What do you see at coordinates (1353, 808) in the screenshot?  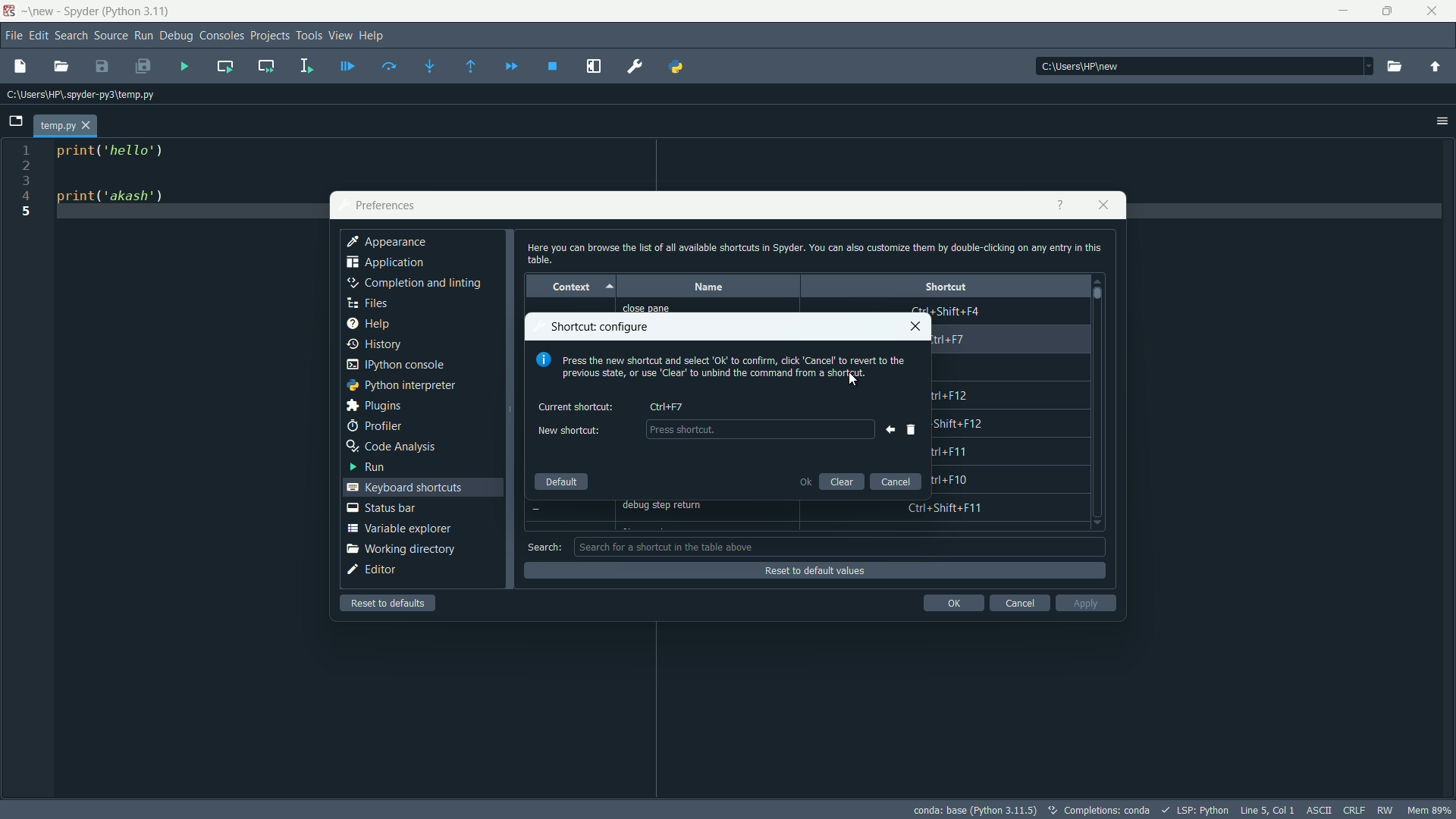 I see `file eol status` at bounding box center [1353, 808].